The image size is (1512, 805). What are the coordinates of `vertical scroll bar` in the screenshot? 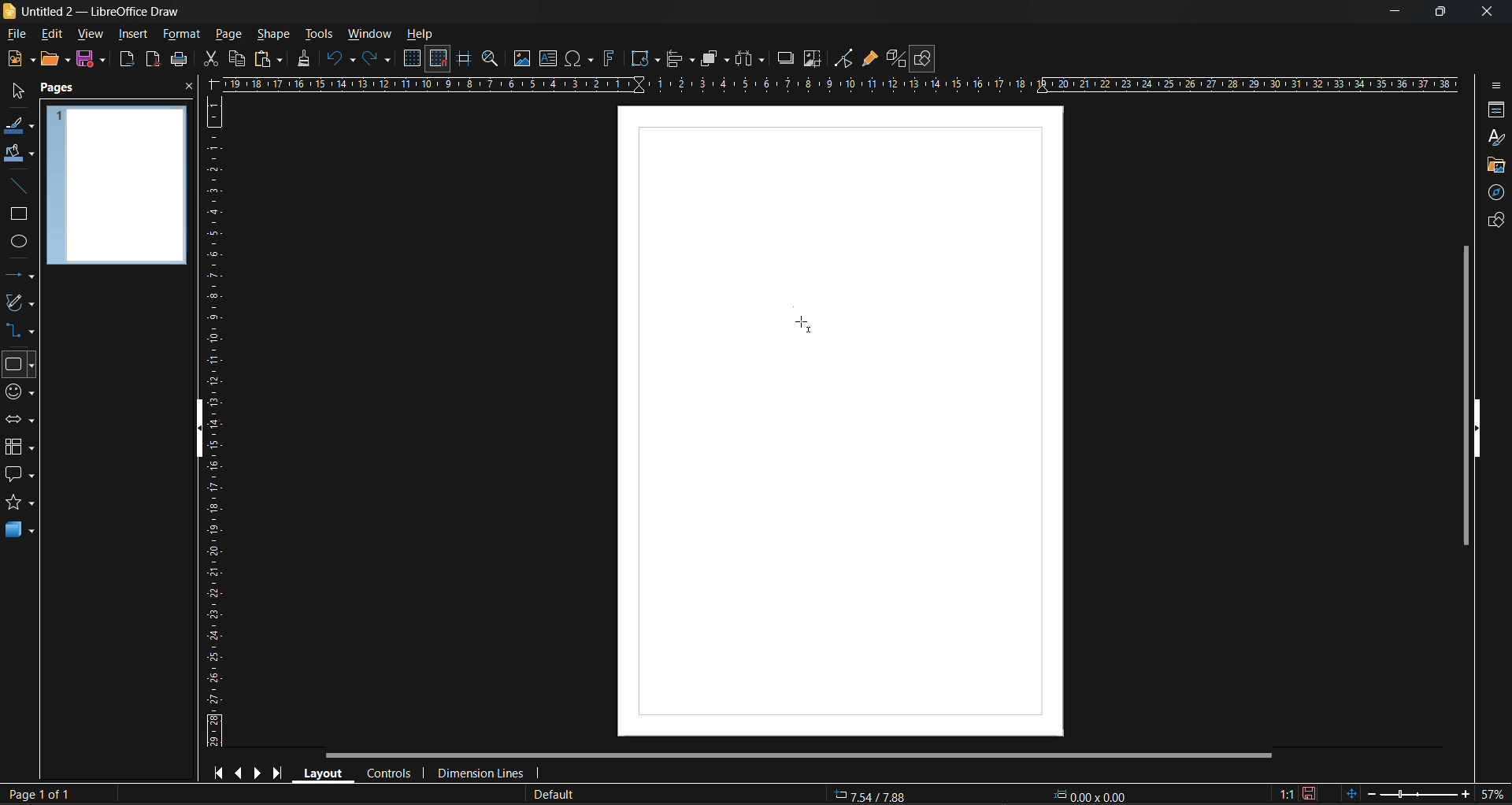 It's located at (1462, 395).